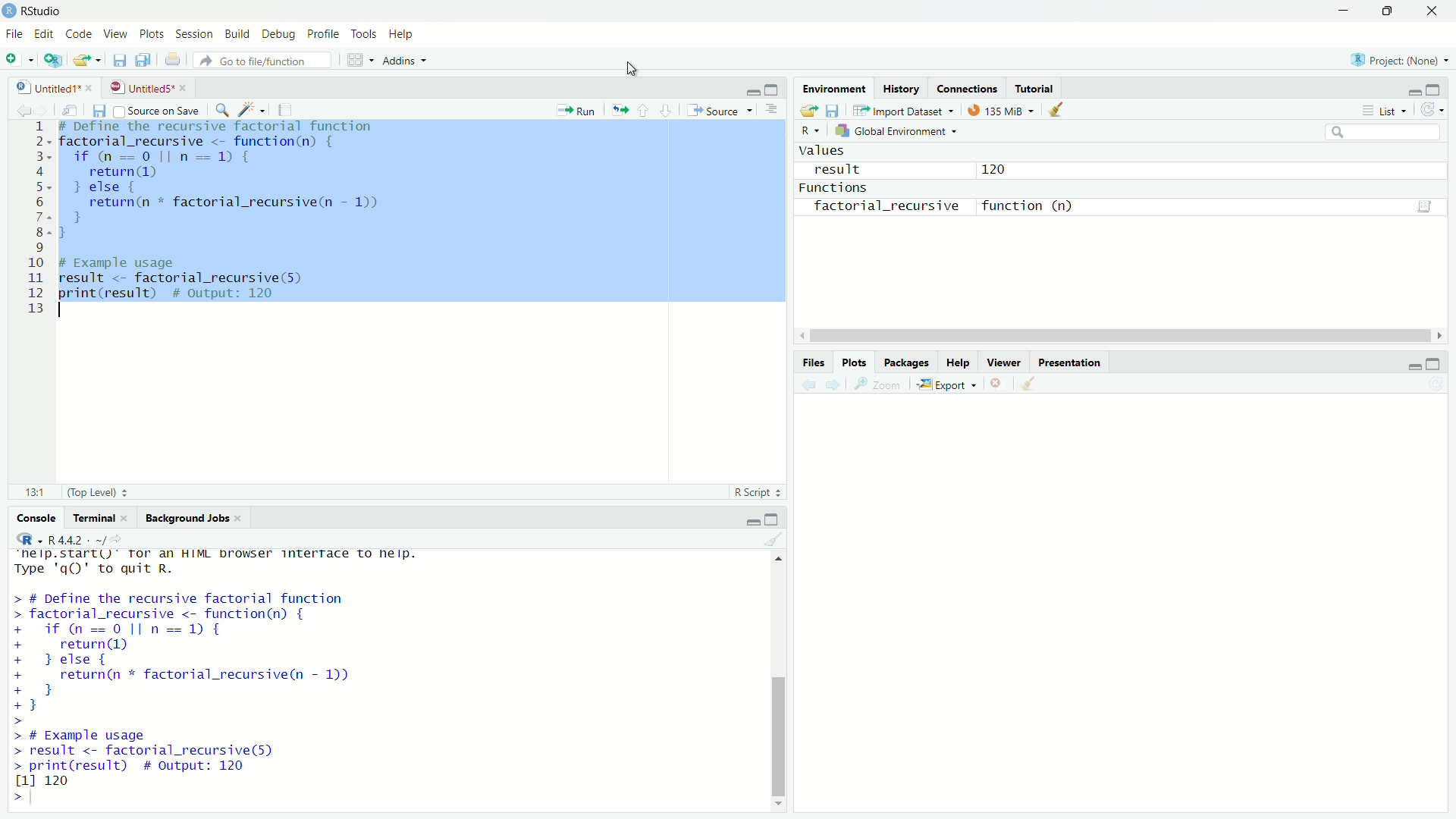 The image size is (1456, 819). What do you see at coordinates (321, 34) in the screenshot?
I see `Profile` at bounding box center [321, 34].